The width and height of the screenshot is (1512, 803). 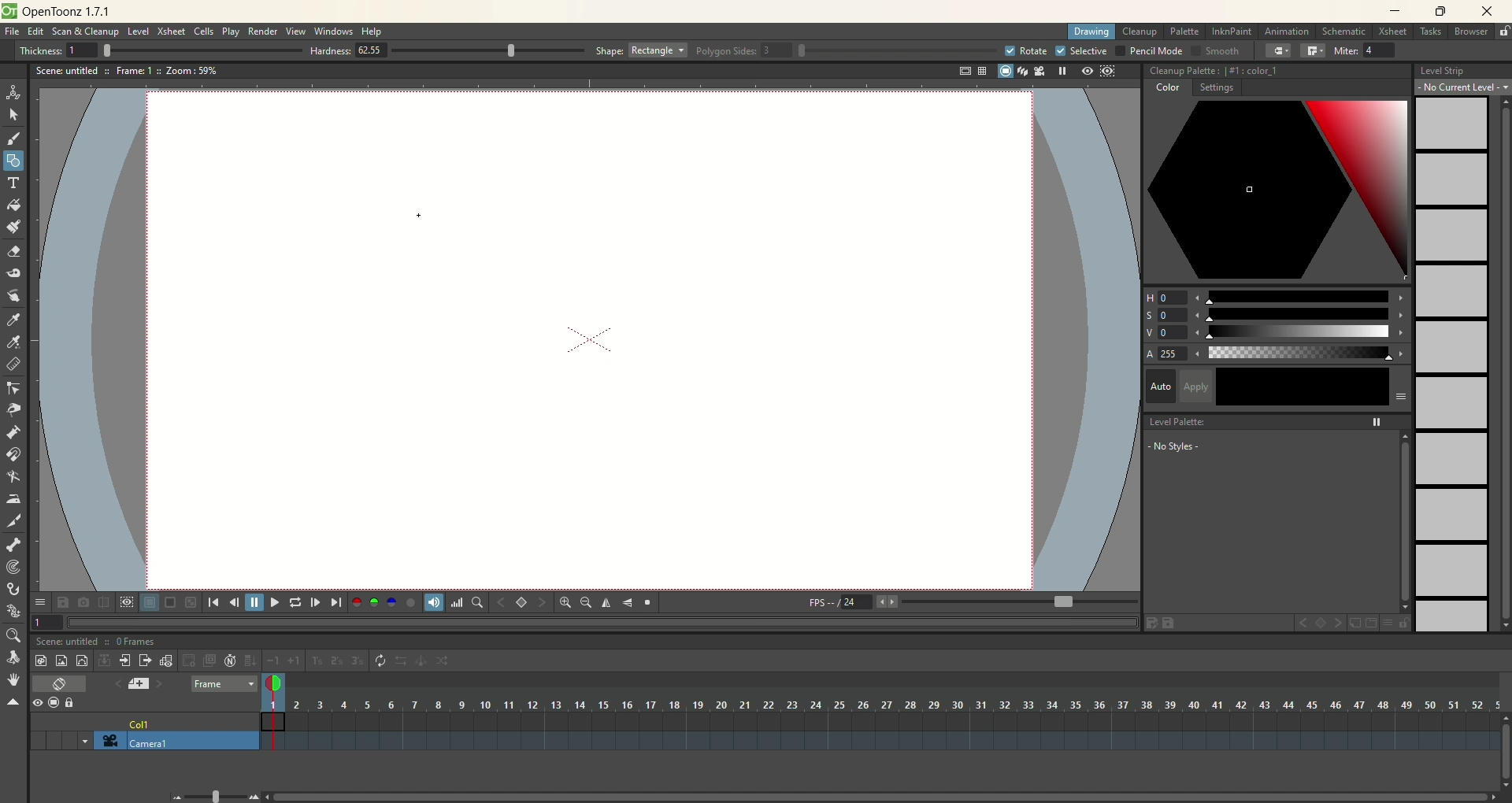 I want to click on finger tool, so click(x=13, y=294).